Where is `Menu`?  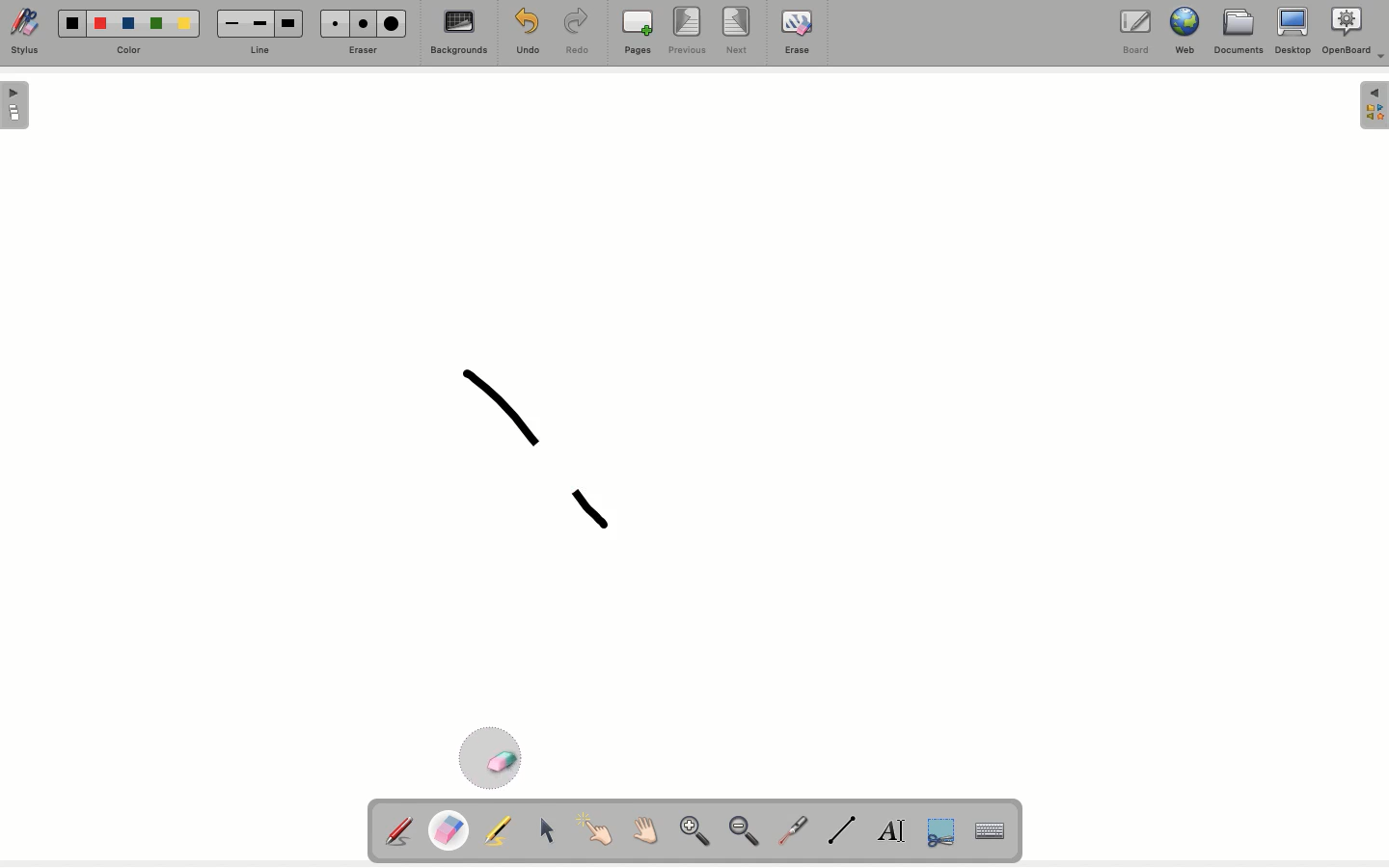 Menu is located at coordinates (1374, 107).